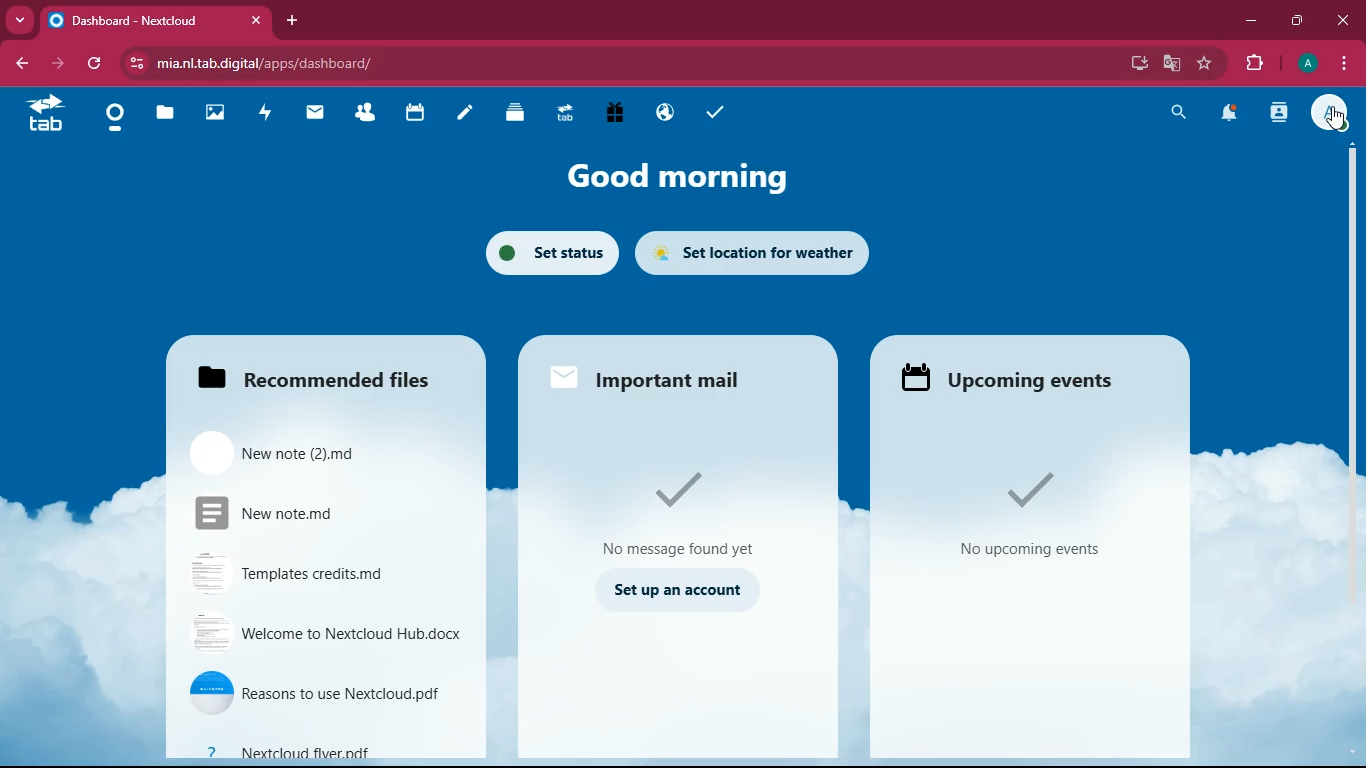 This screenshot has height=768, width=1366. Describe the element at coordinates (266, 114) in the screenshot. I see `activity` at that location.